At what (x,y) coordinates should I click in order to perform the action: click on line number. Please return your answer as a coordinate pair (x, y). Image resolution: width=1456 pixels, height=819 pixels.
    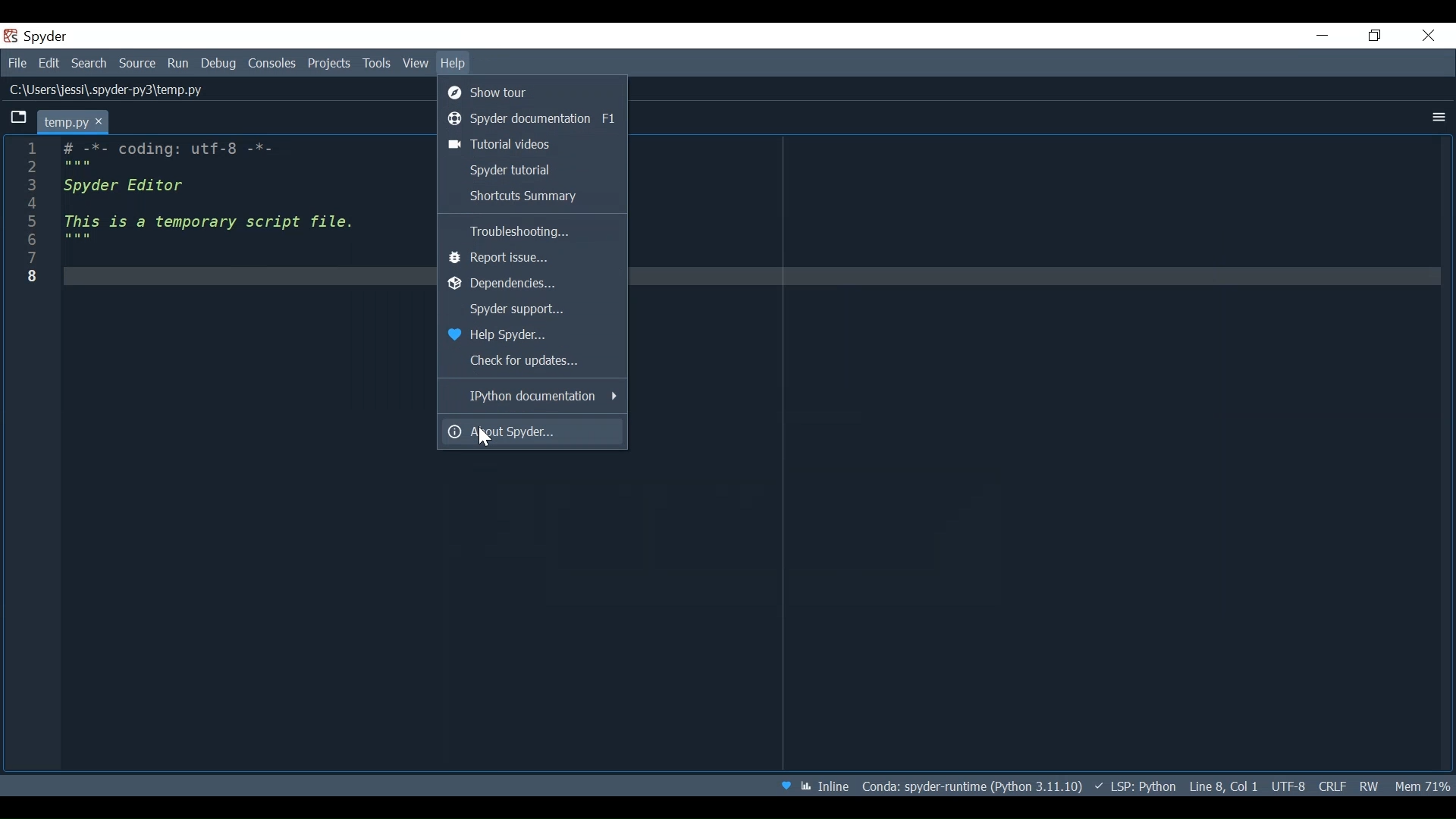
    Looking at the image, I should click on (30, 212).